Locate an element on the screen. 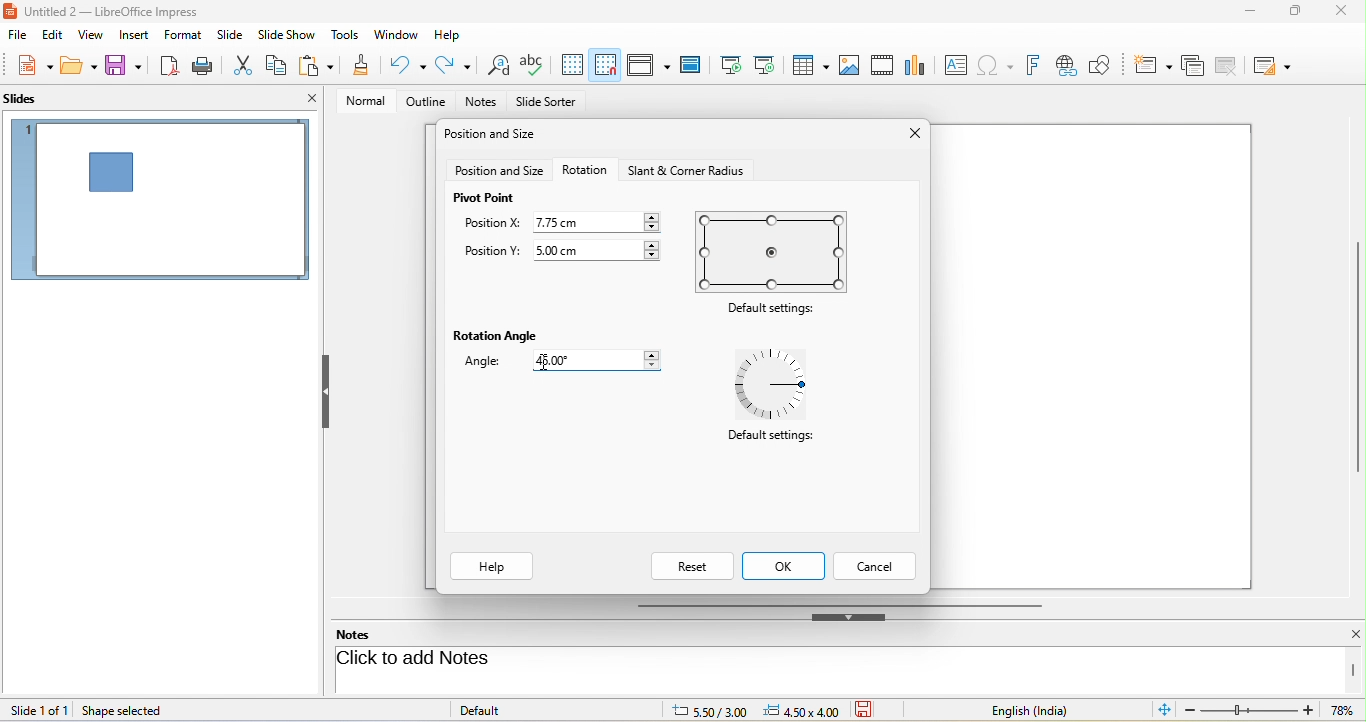 The height and width of the screenshot is (722, 1366). slides is located at coordinates (31, 100).